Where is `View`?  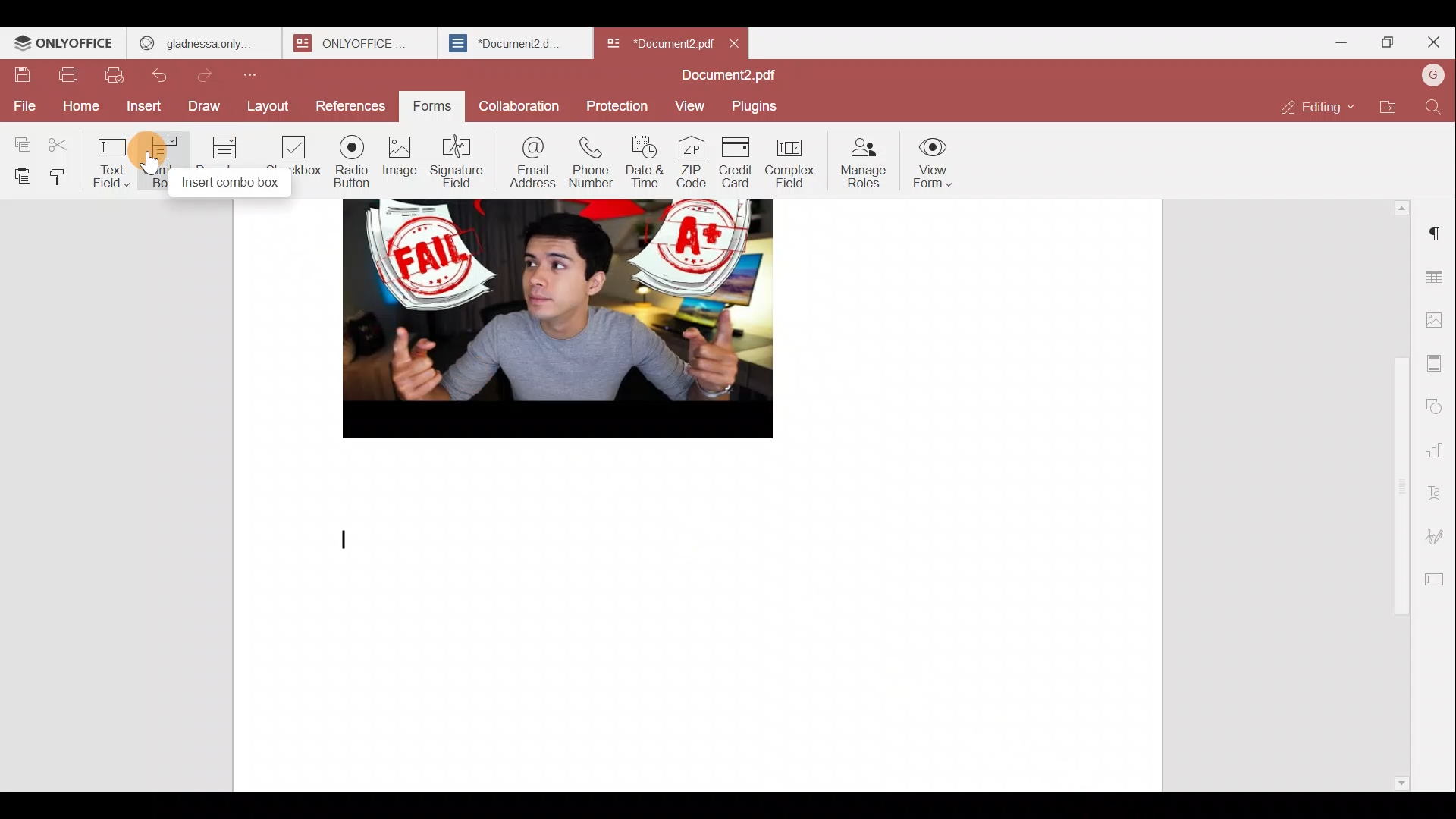 View is located at coordinates (692, 105).